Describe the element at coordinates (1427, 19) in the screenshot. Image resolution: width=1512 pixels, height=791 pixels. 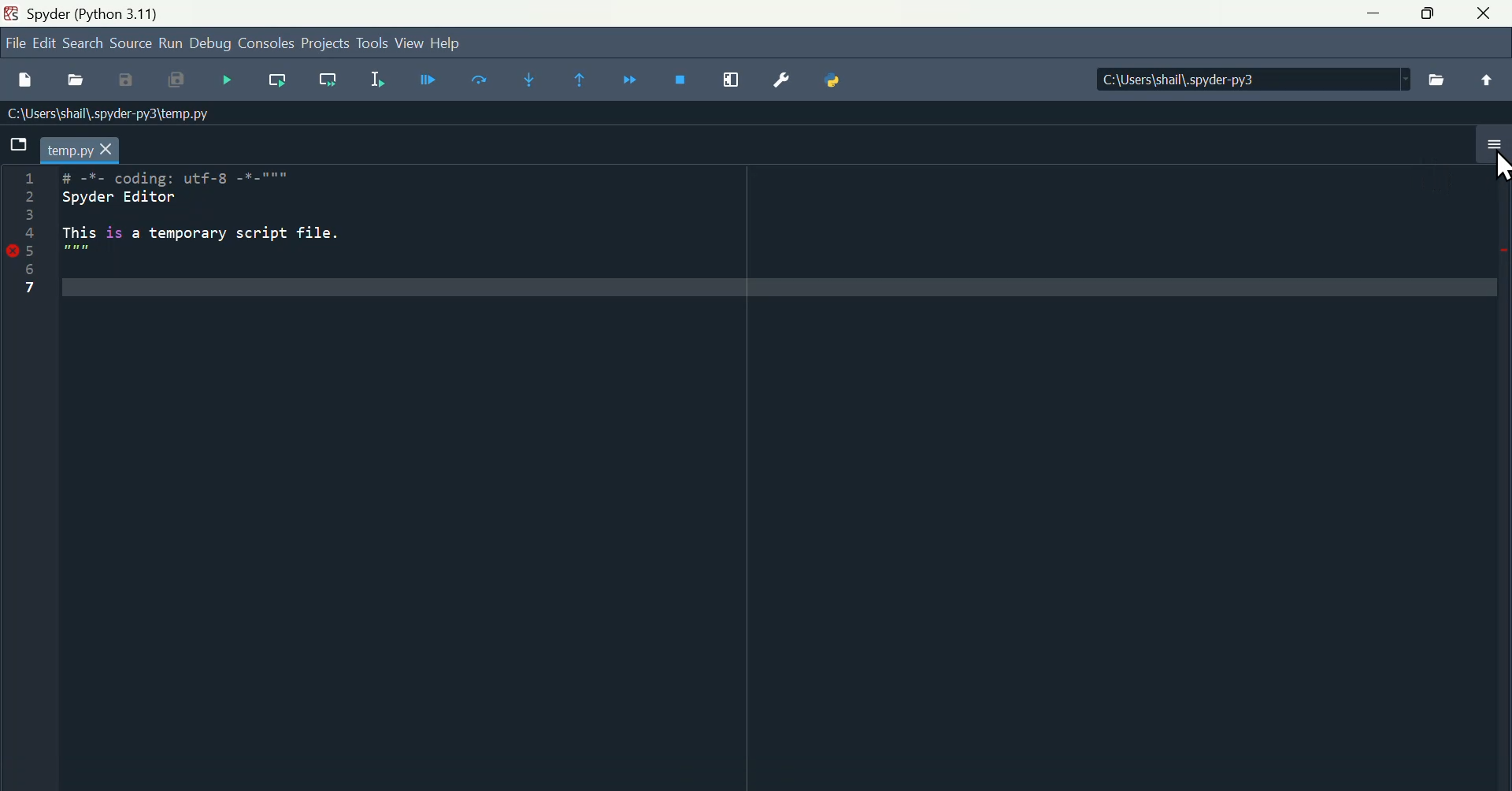
I see `Maximise` at that location.